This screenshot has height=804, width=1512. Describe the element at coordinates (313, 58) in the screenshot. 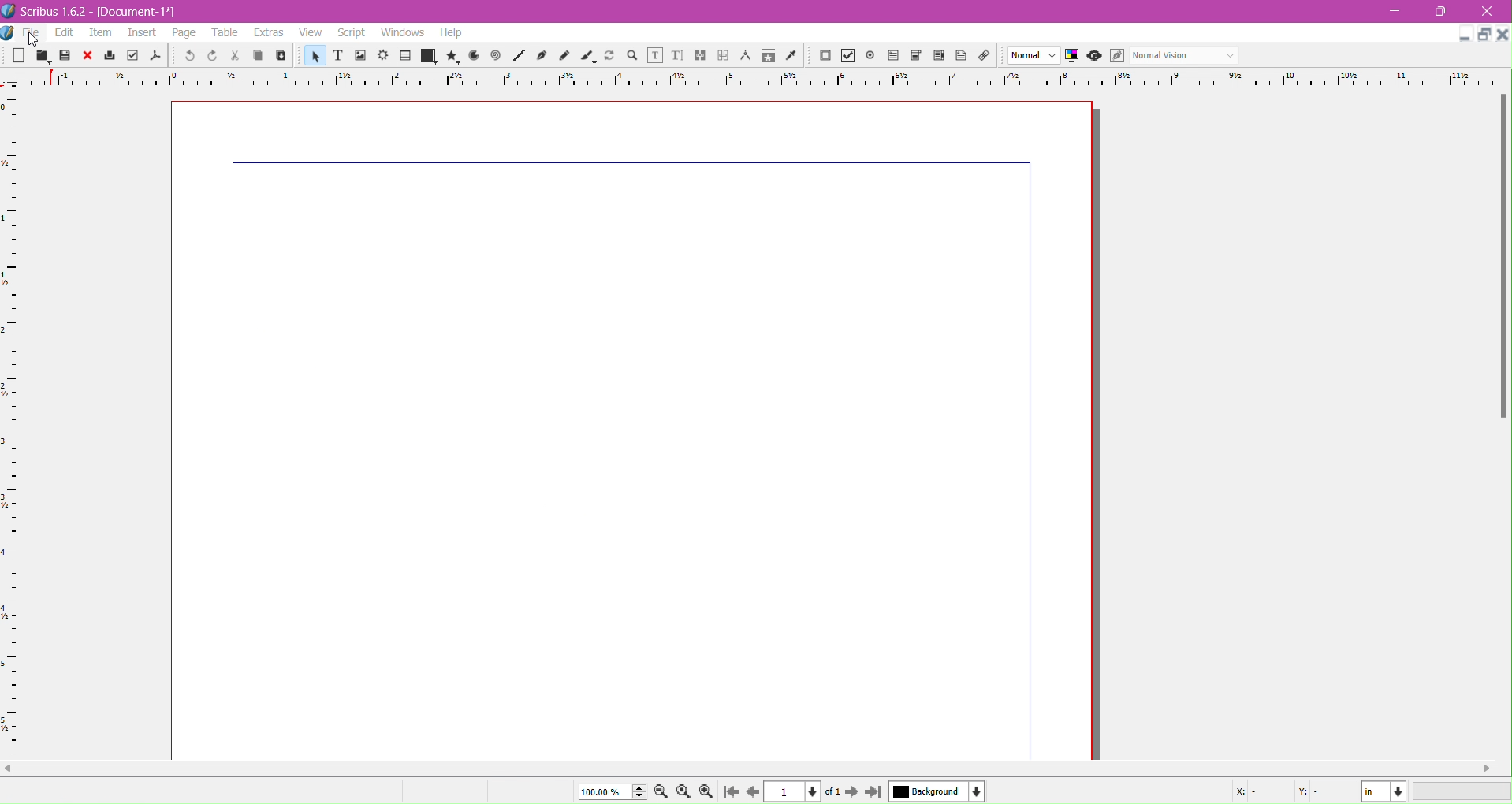

I see `select` at that location.